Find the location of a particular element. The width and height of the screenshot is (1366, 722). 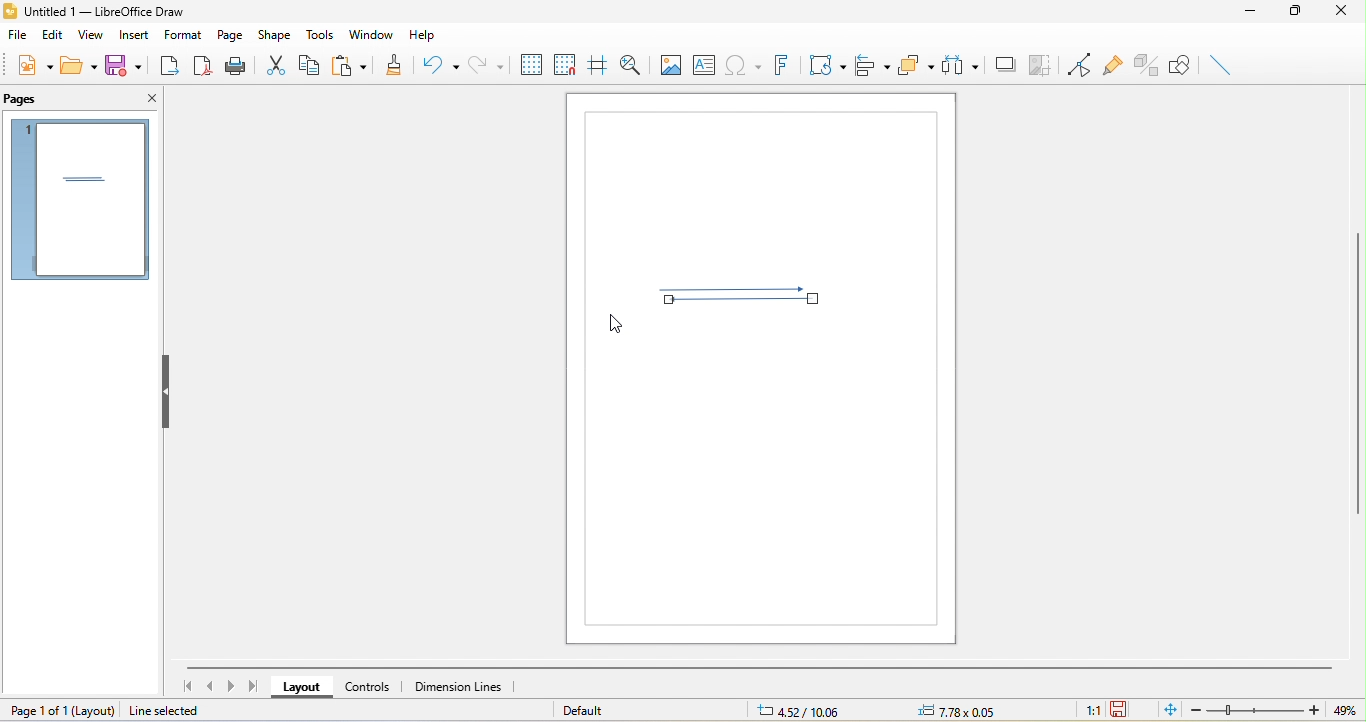

insert line is located at coordinates (1221, 65).